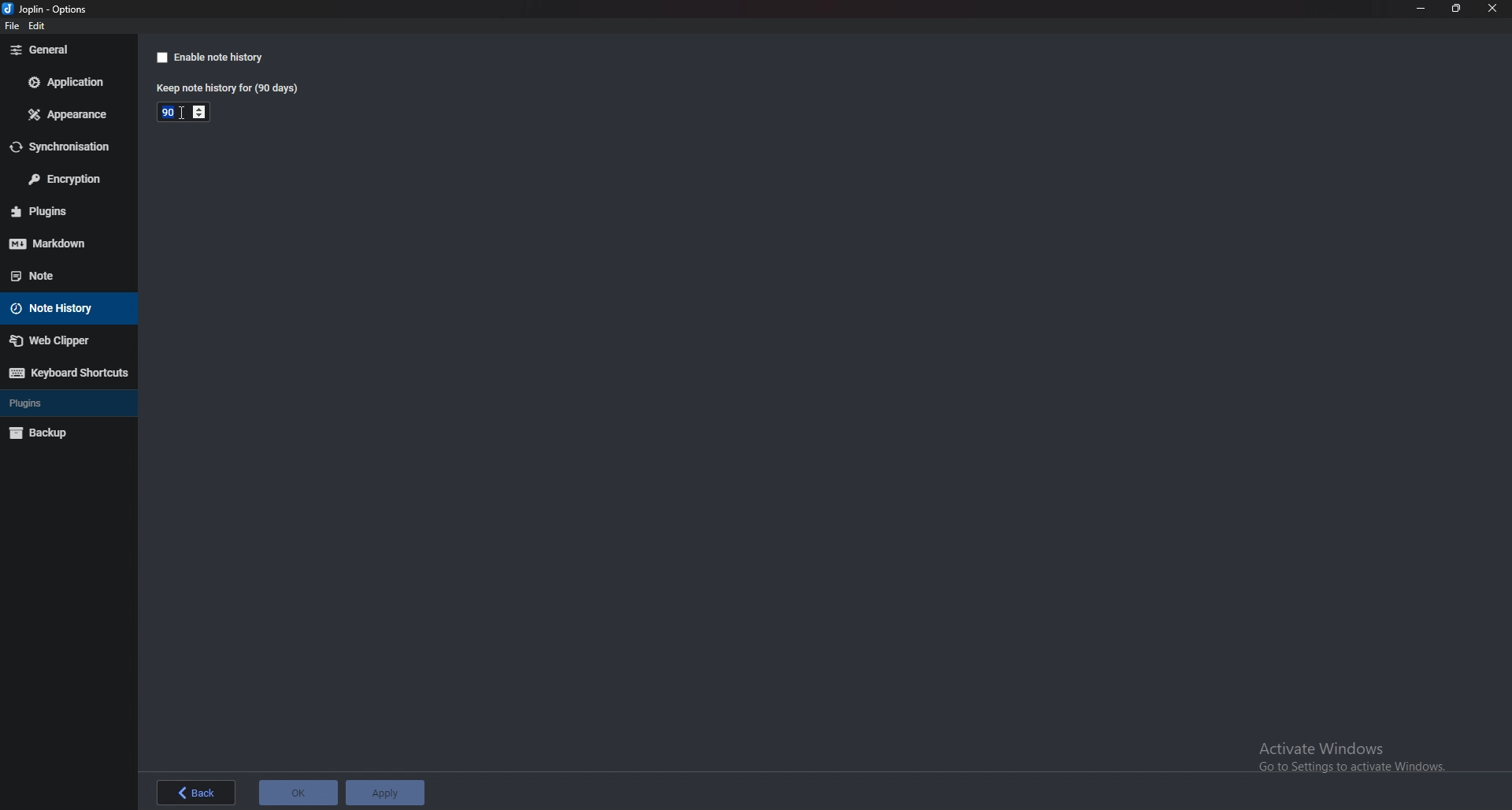 This screenshot has height=810, width=1512. What do you see at coordinates (54, 402) in the screenshot?
I see `plugins` at bounding box center [54, 402].